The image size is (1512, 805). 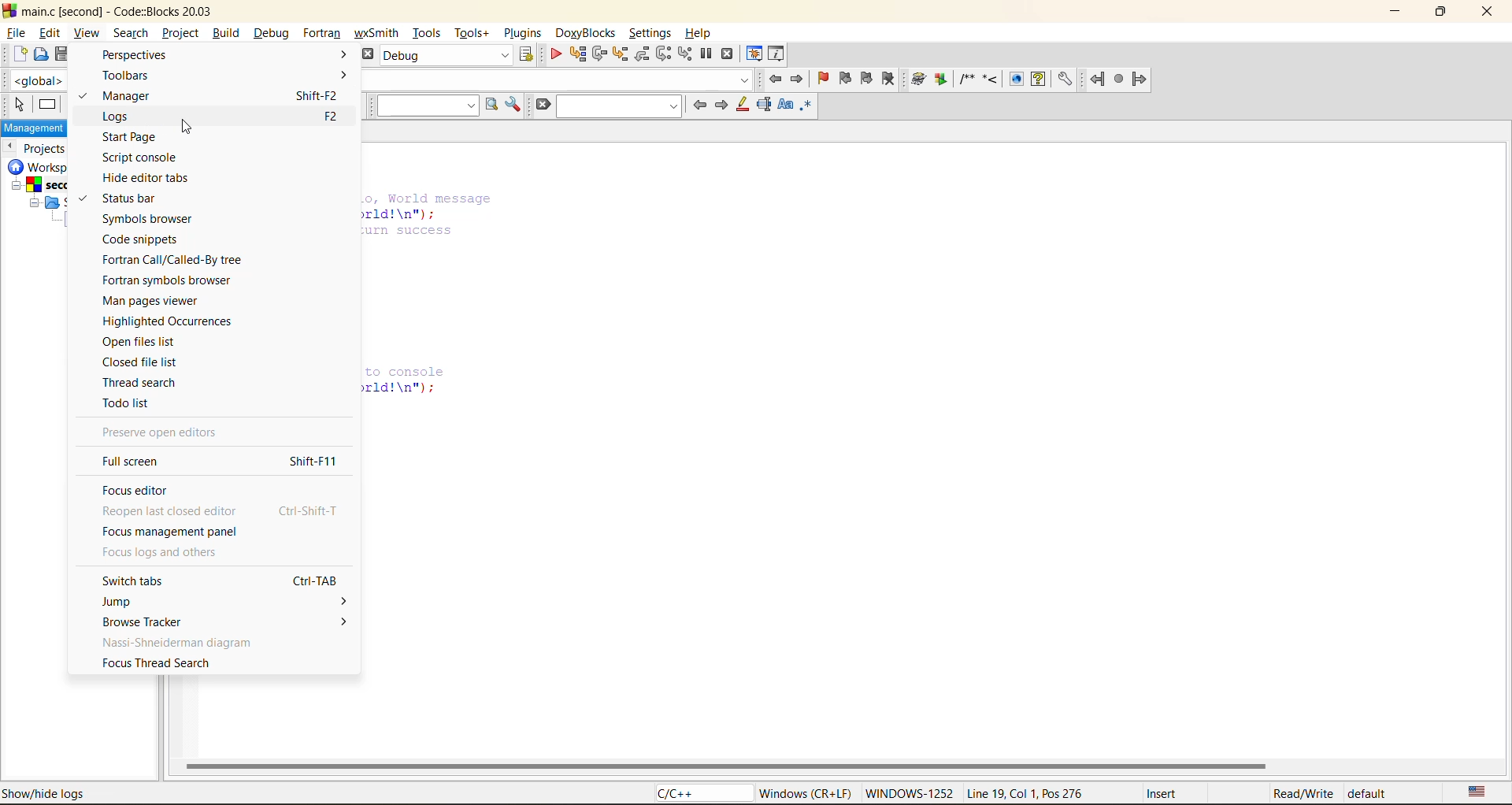 I want to click on abort, so click(x=368, y=56).